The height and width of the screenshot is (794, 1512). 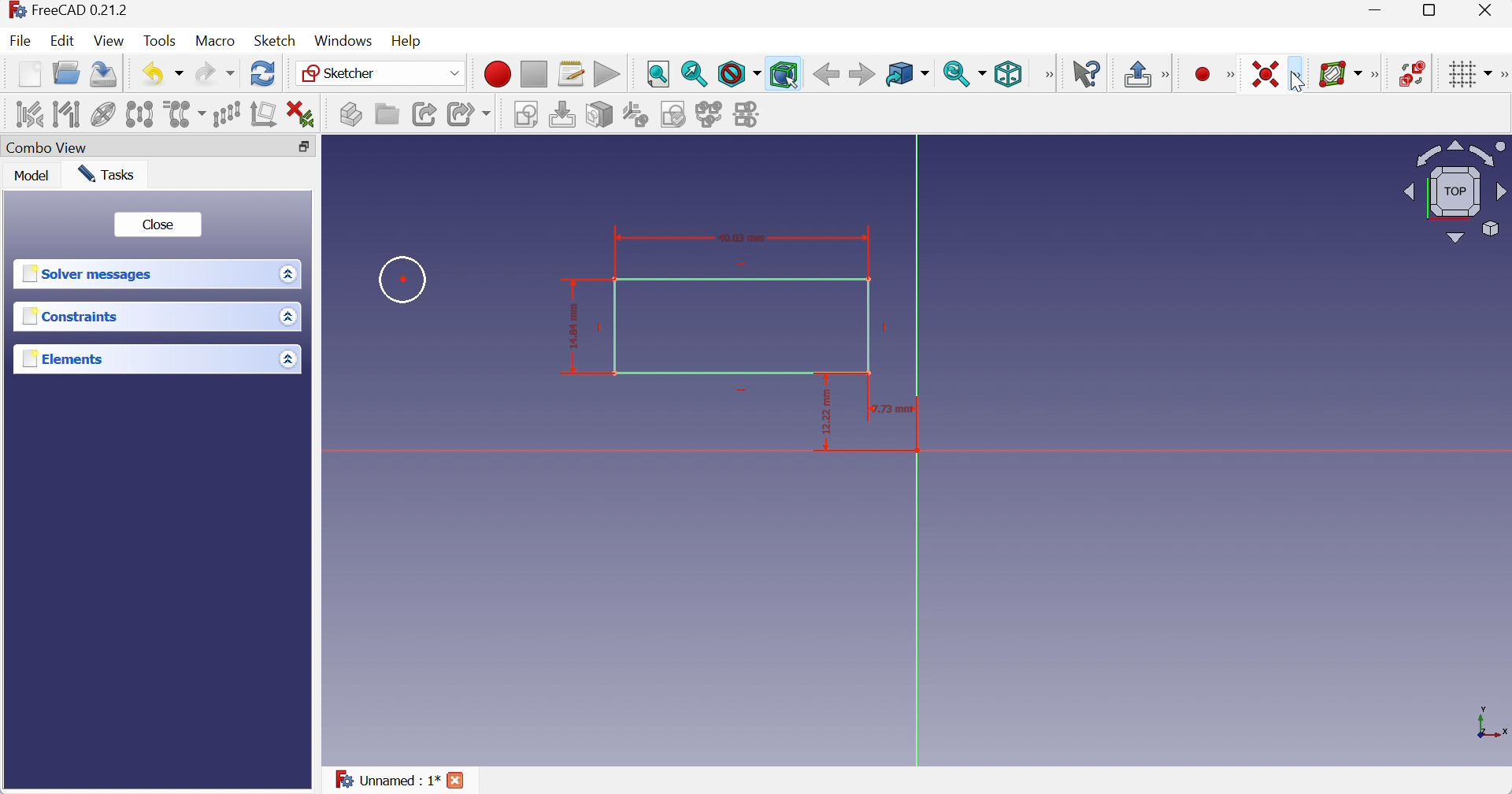 What do you see at coordinates (28, 113) in the screenshot?
I see `Select associated constraints` at bounding box center [28, 113].